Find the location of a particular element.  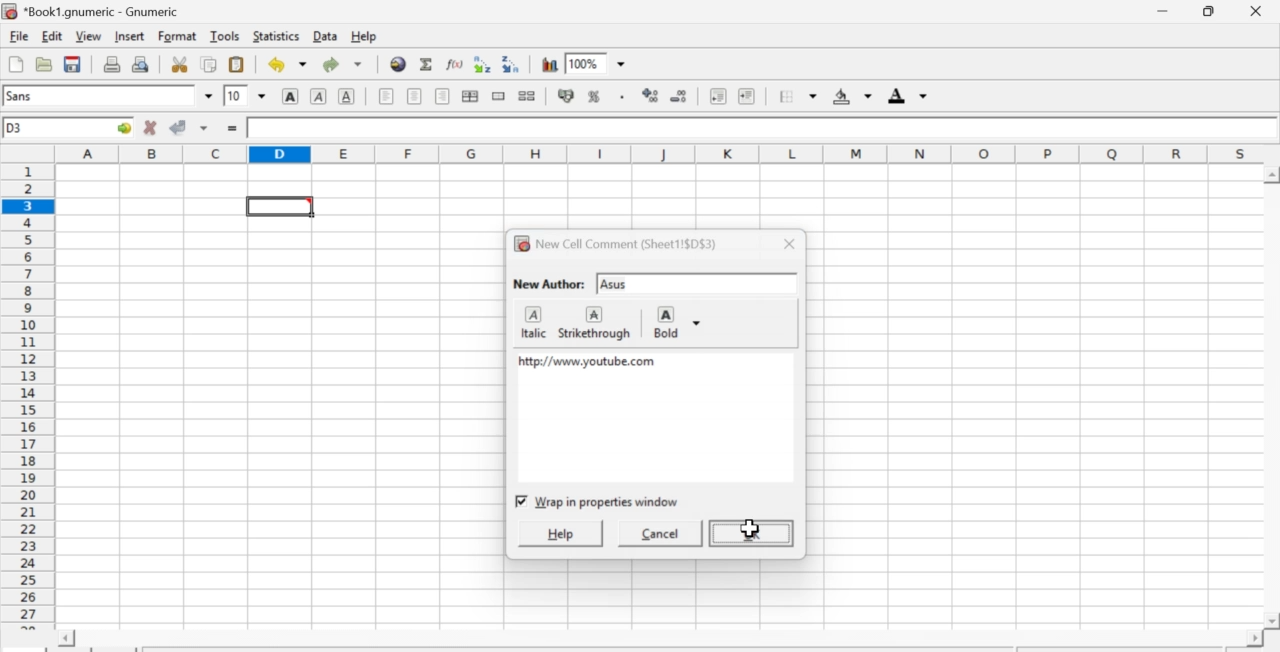

Close is located at coordinates (1257, 12).